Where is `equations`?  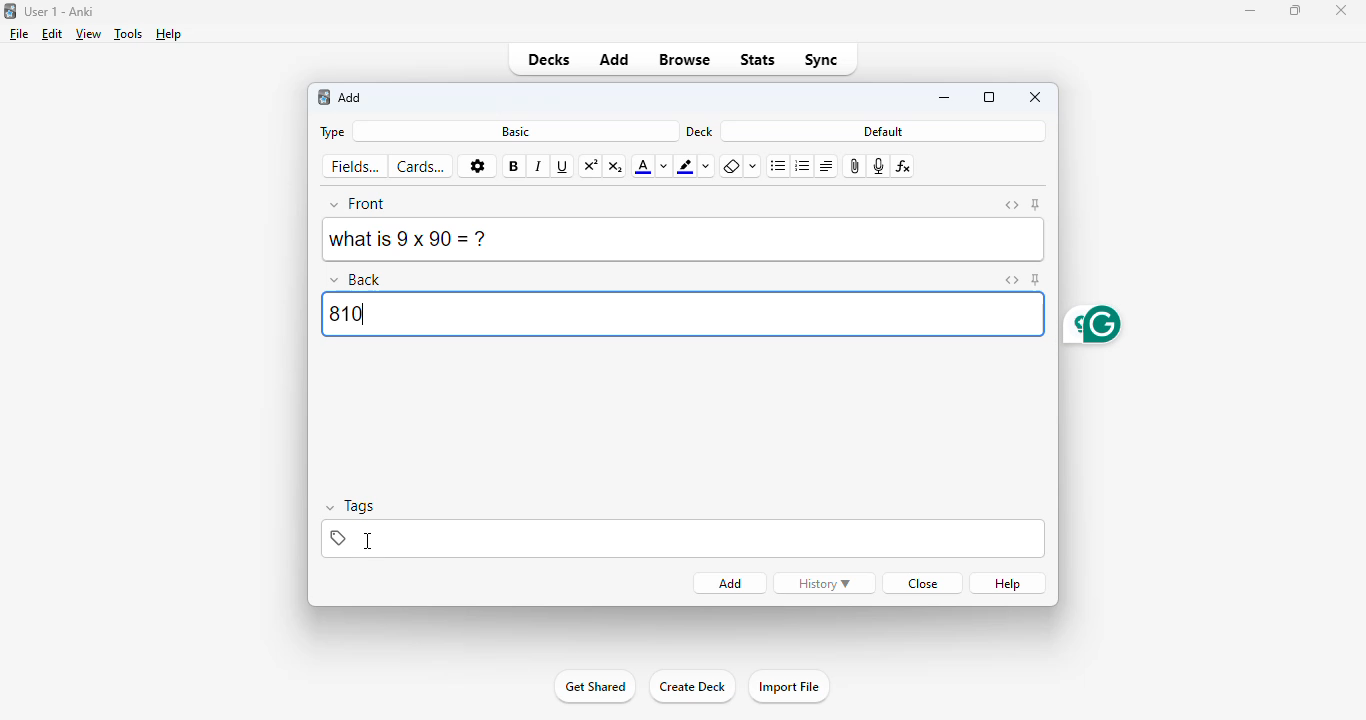 equations is located at coordinates (905, 166).